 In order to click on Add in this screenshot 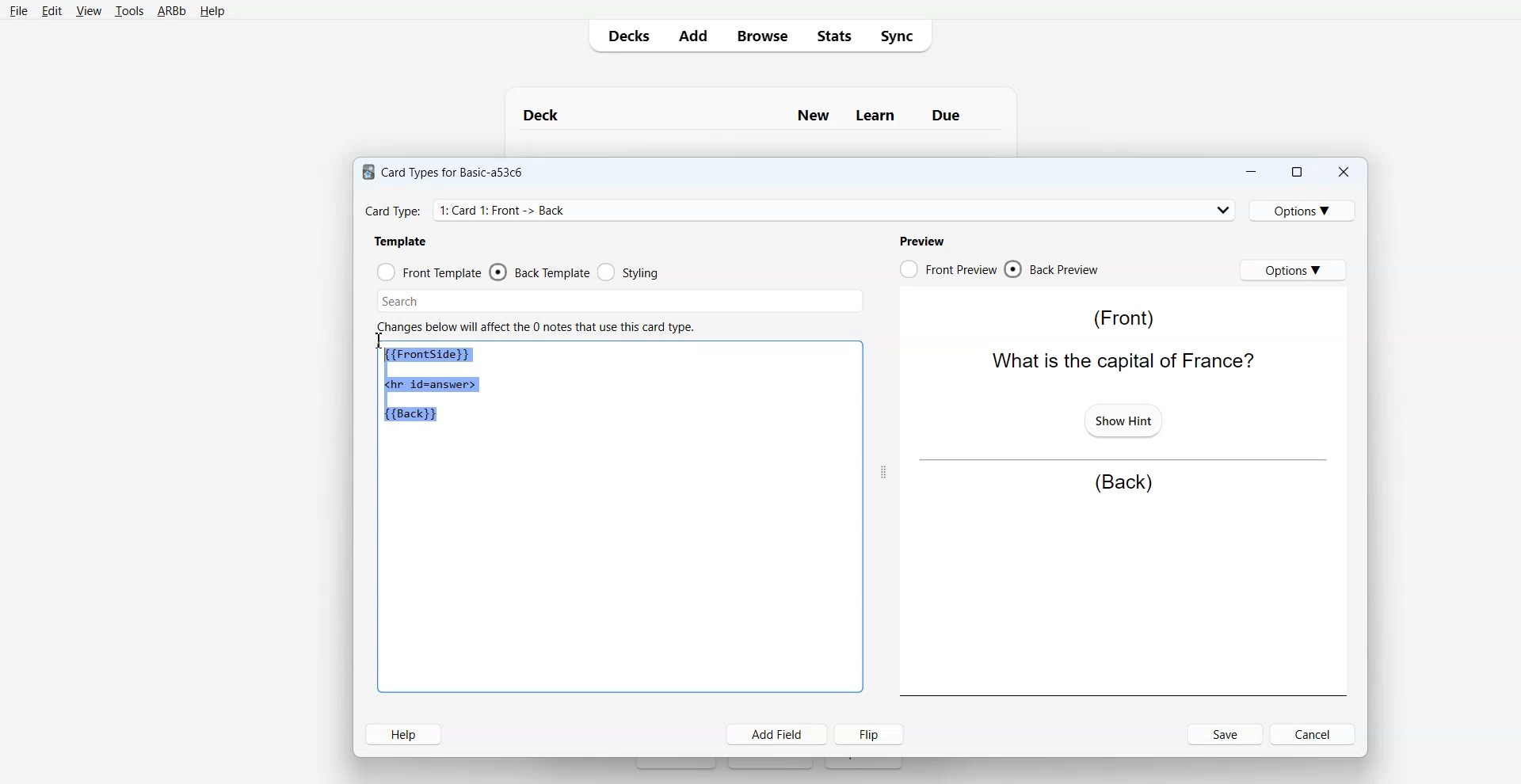, I will do `click(692, 36)`.